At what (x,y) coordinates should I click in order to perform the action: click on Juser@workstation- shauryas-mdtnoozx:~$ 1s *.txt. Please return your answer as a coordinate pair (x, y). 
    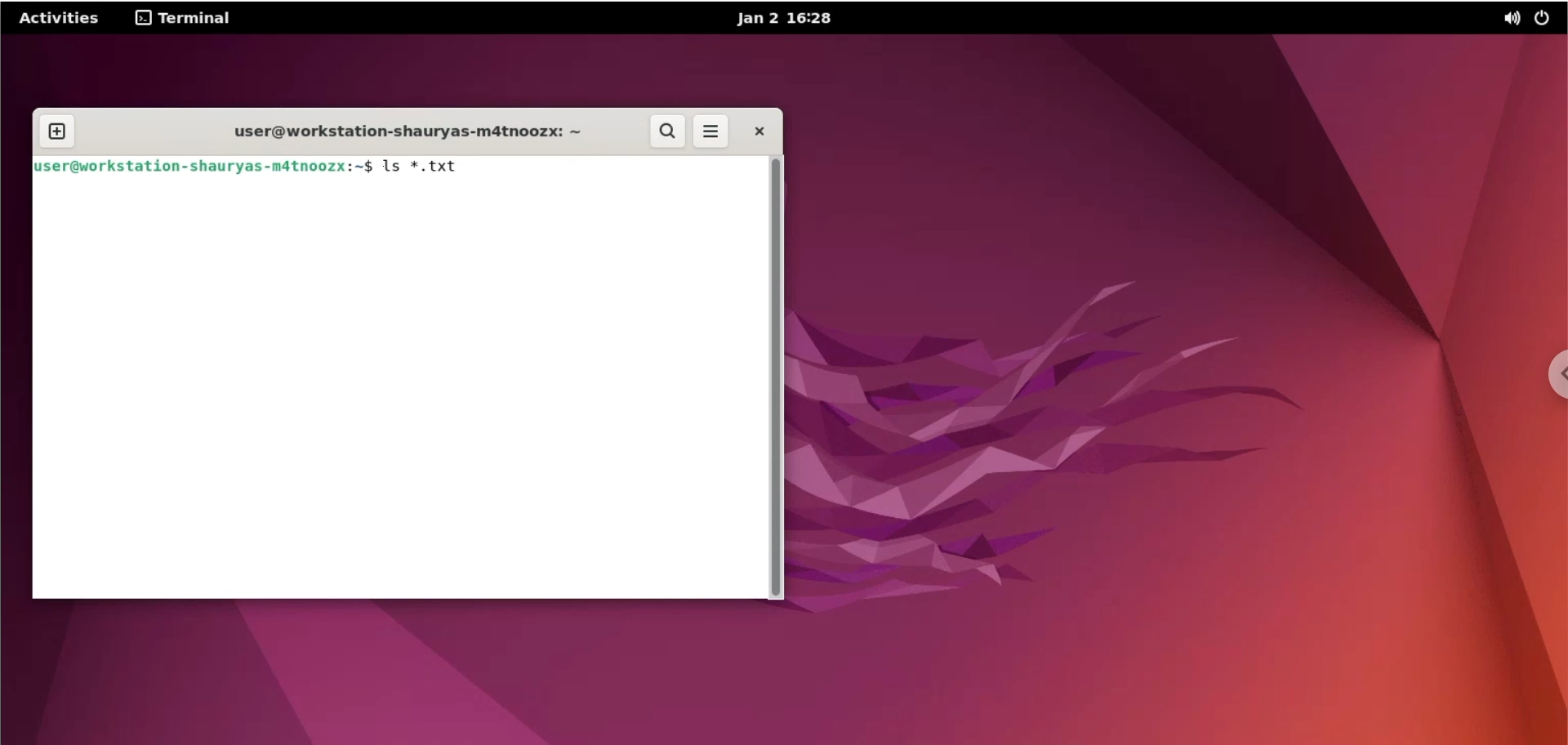
    Looking at the image, I should click on (297, 169).